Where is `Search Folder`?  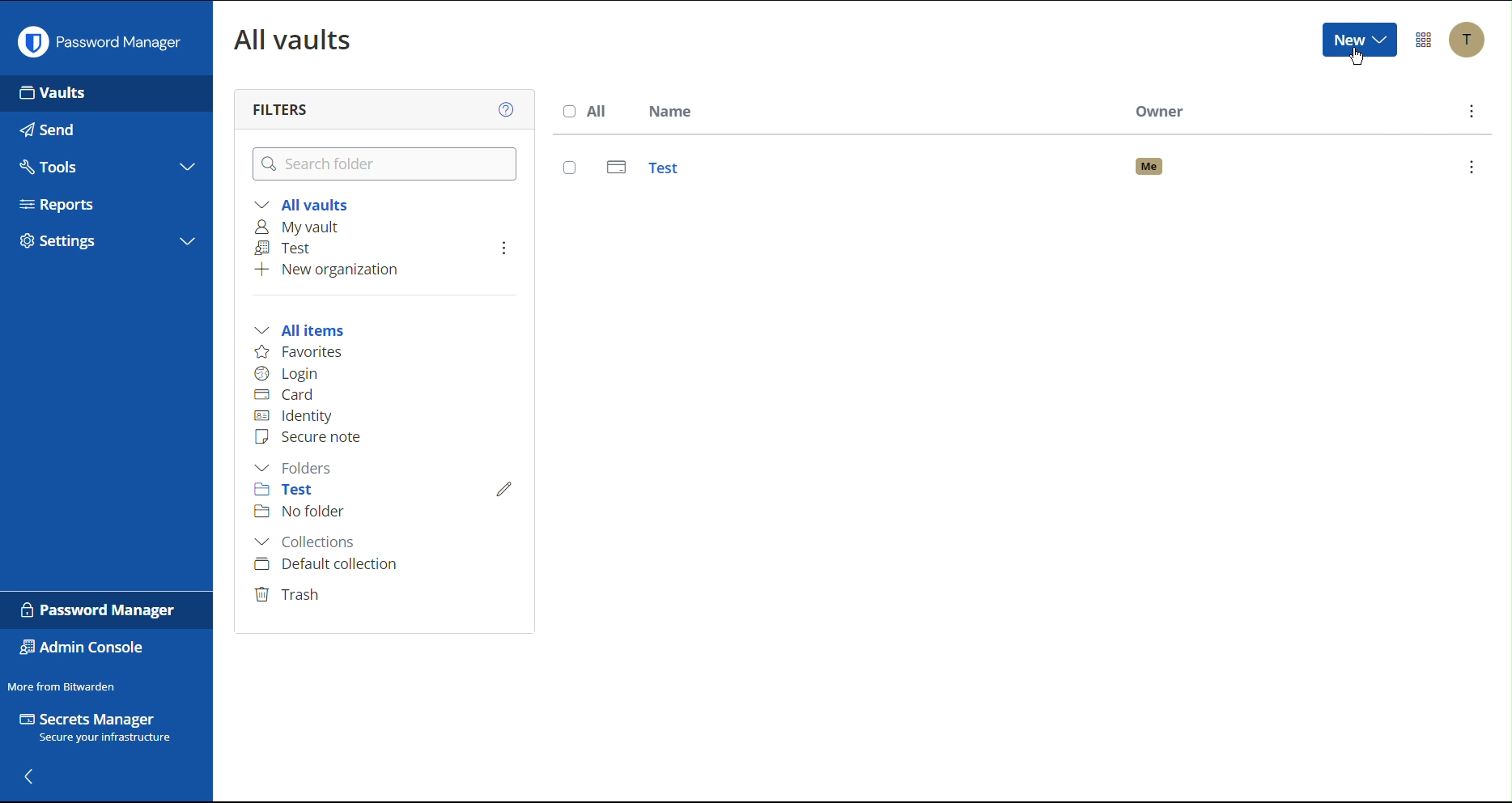 Search Folder is located at coordinates (386, 164).